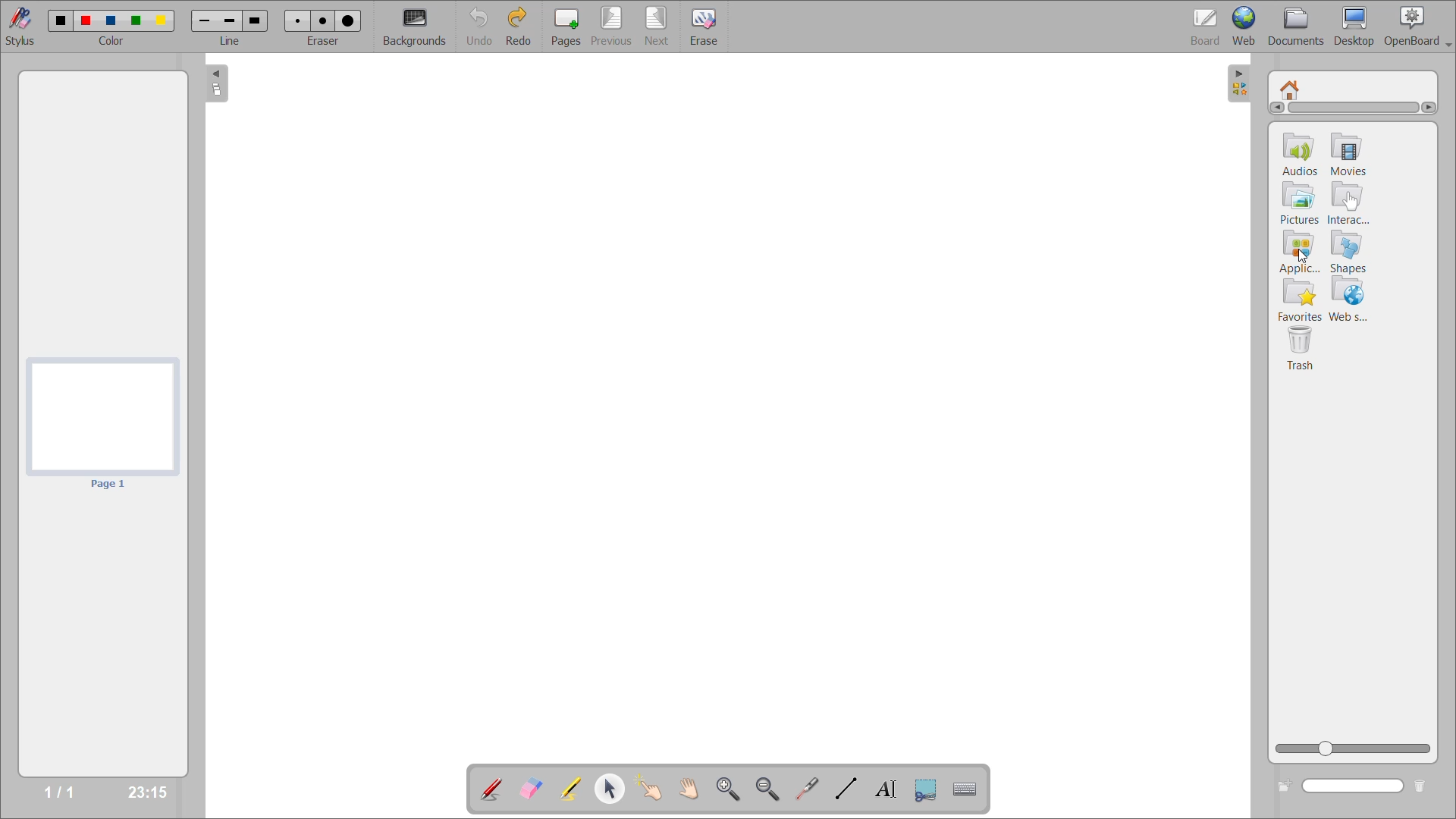  What do you see at coordinates (1350, 746) in the screenshot?
I see `zoom slider` at bounding box center [1350, 746].